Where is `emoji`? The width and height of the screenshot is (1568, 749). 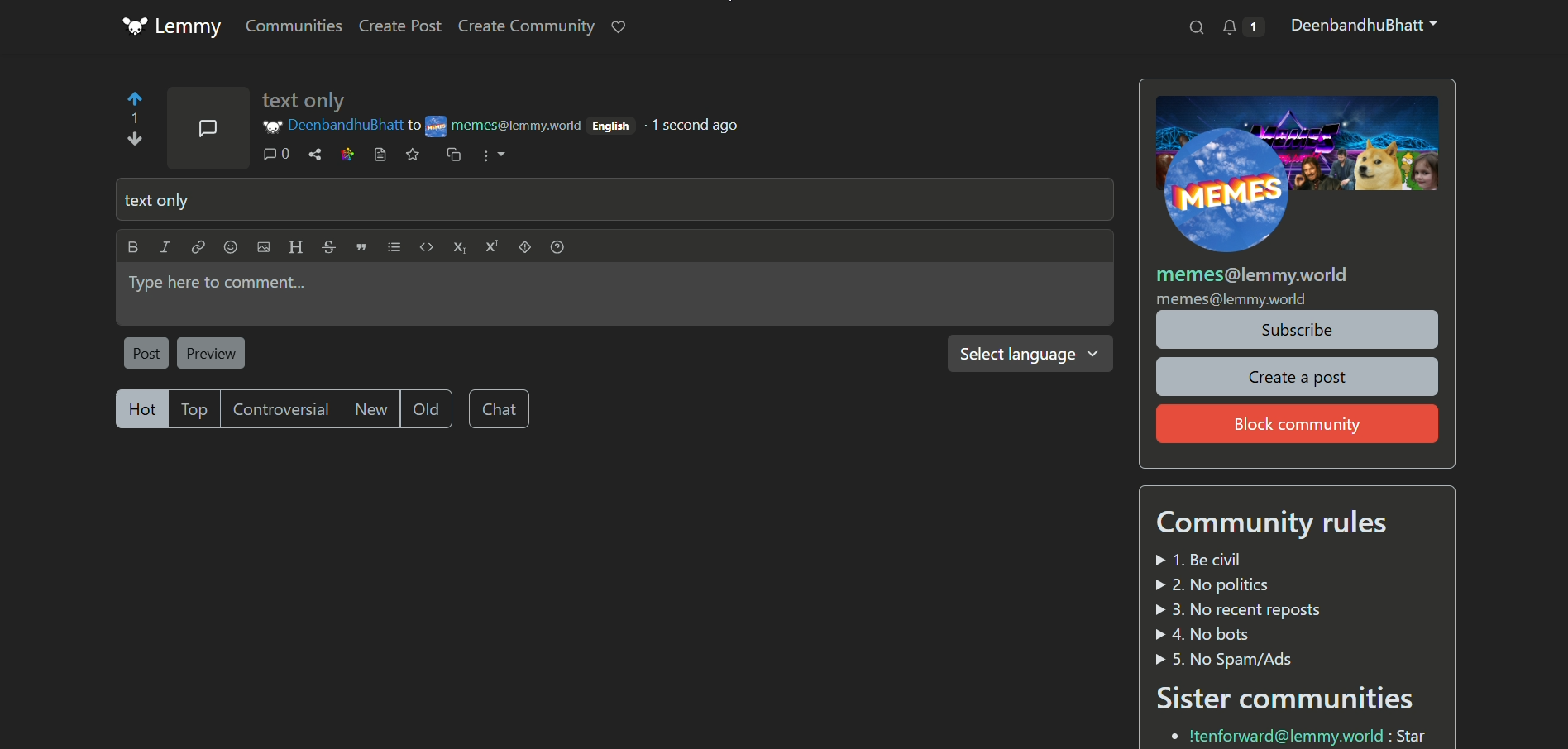 emoji is located at coordinates (230, 246).